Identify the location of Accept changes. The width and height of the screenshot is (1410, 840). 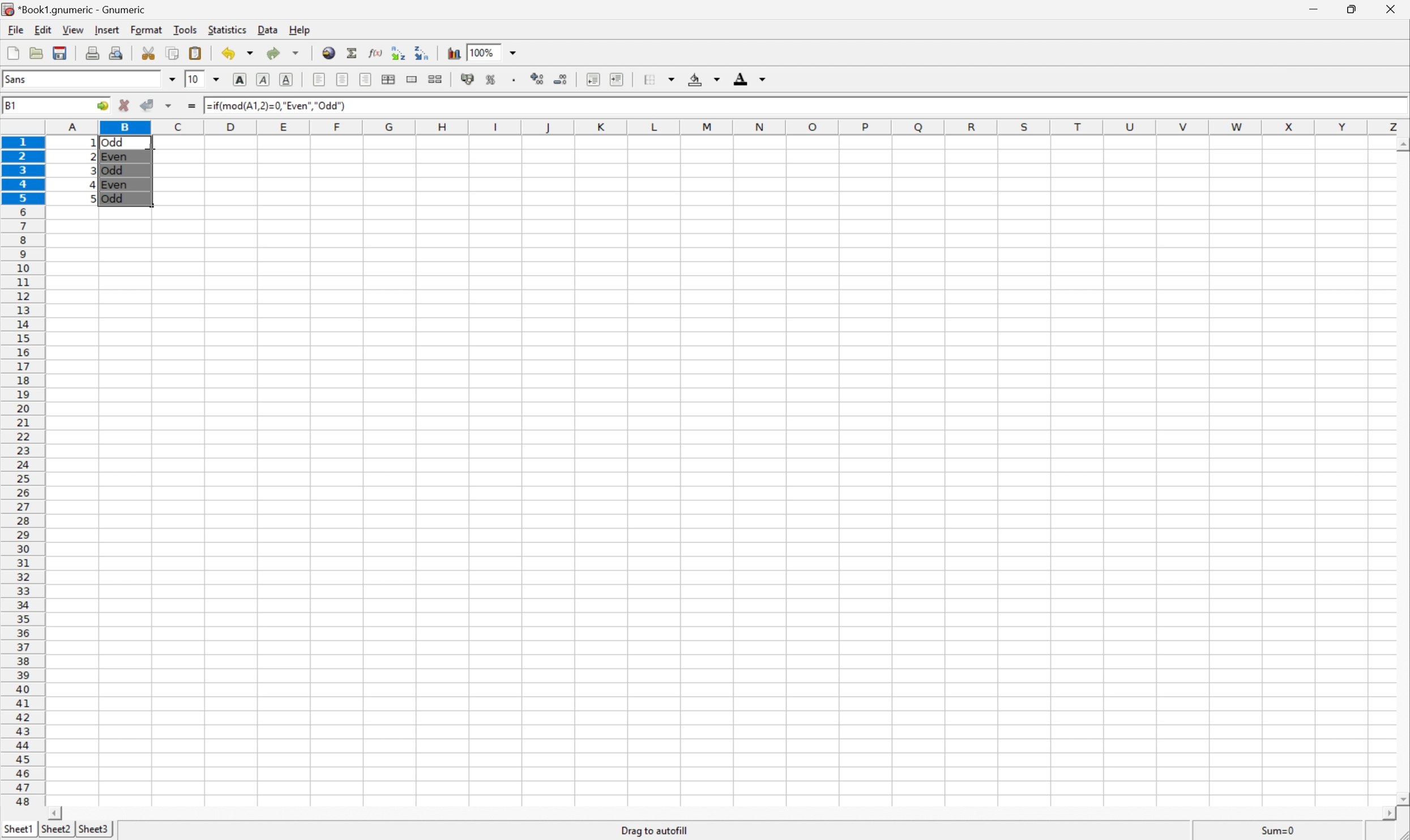
(147, 106).